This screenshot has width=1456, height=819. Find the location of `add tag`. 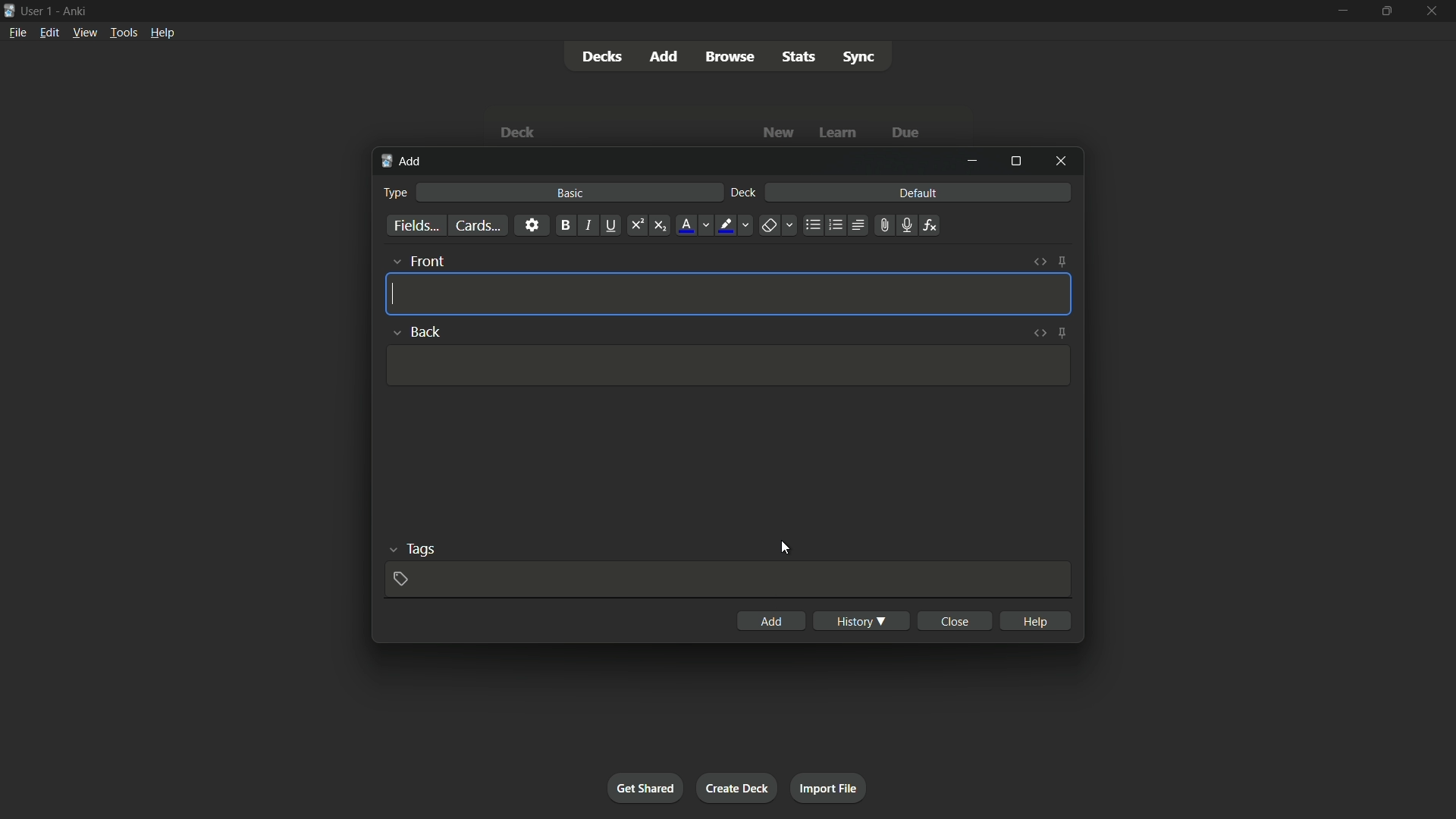

add tag is located at coordinates (400, 579).